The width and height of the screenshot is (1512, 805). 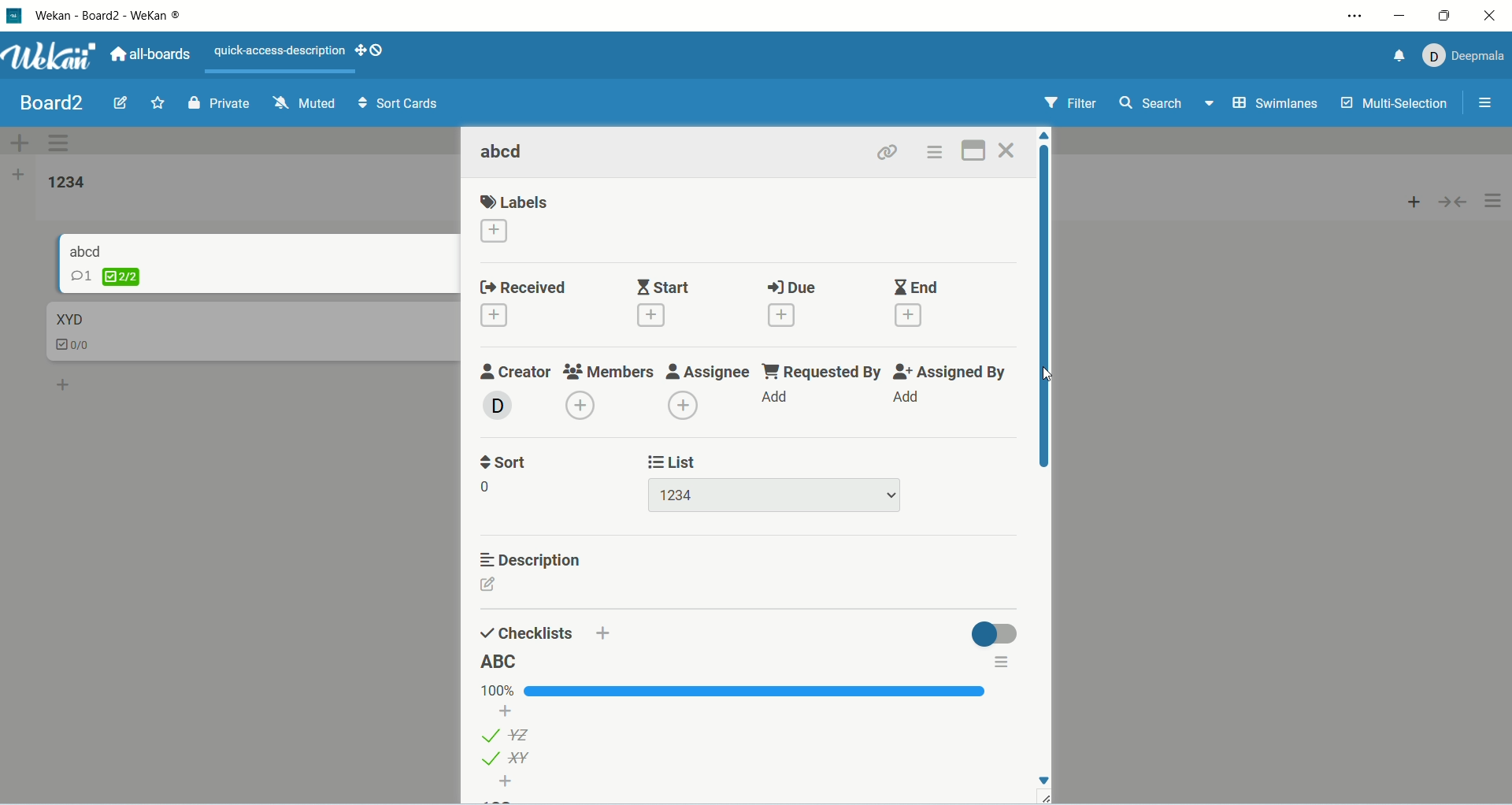 What do you see at coordinates (1395, 58) in the screenshot?
I see `notification` at bounding box center [1395, 58].